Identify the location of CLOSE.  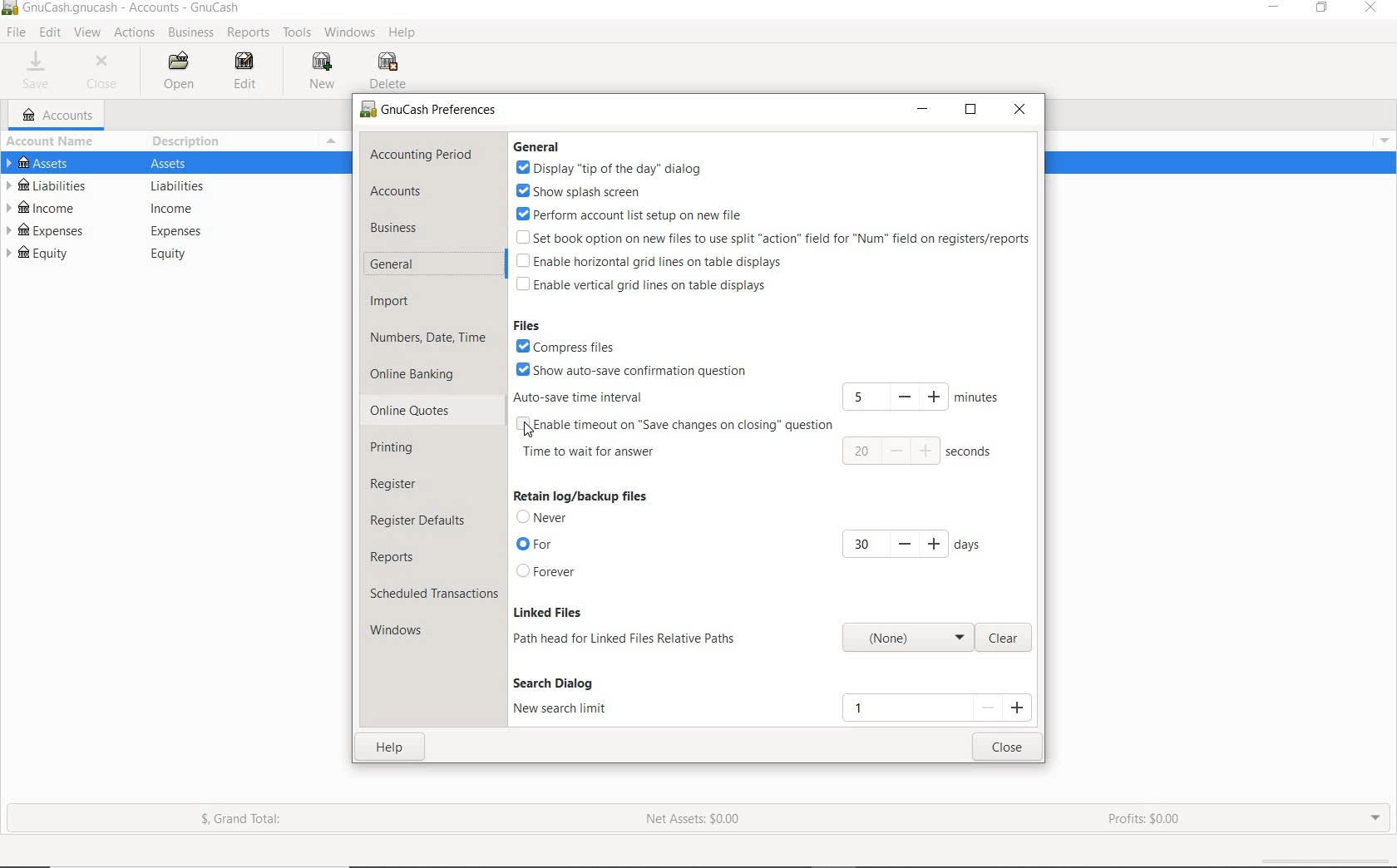
(1019, 747).